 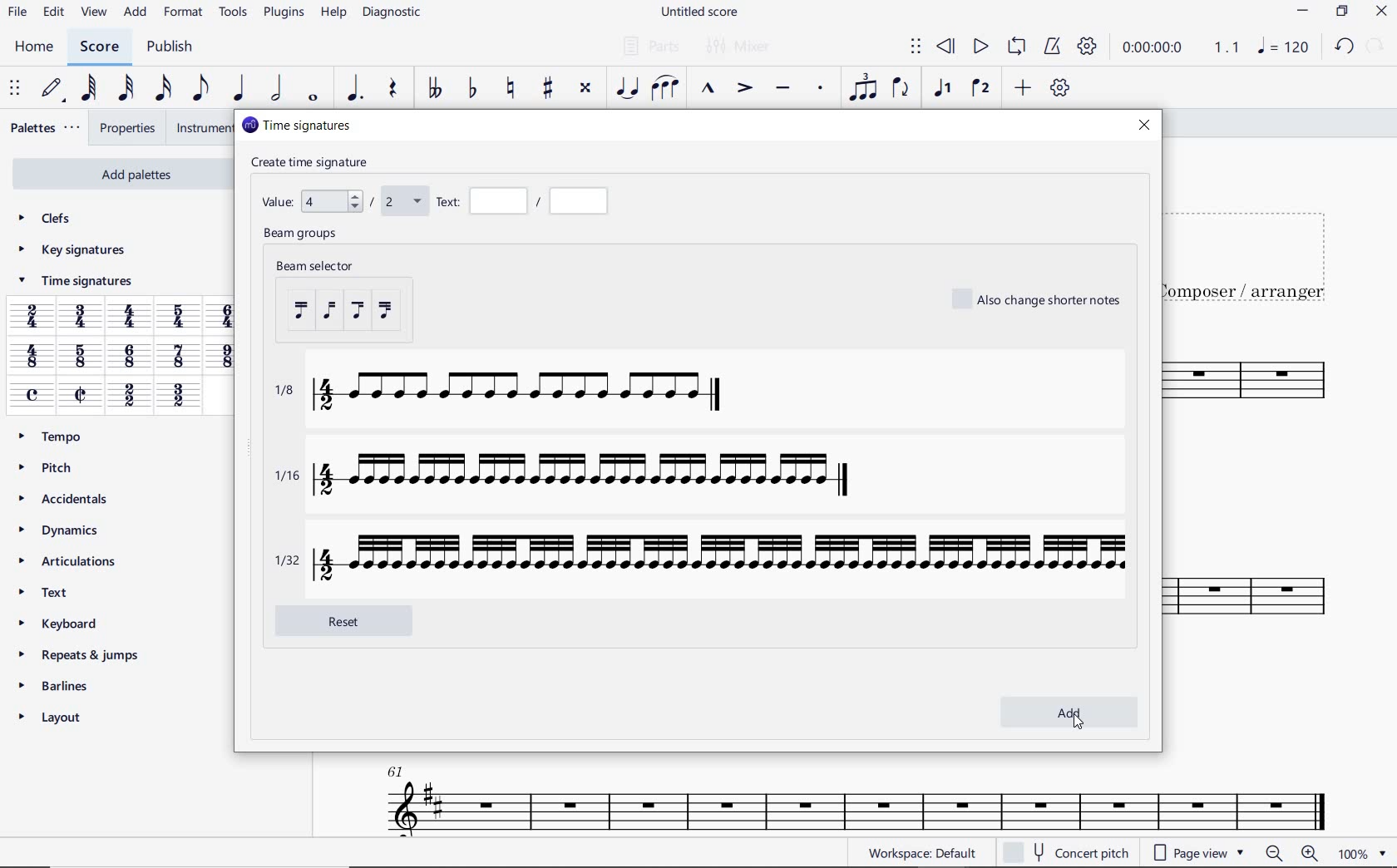 I want to click on TOGGLE FLAT, so click(x=471, y=89).